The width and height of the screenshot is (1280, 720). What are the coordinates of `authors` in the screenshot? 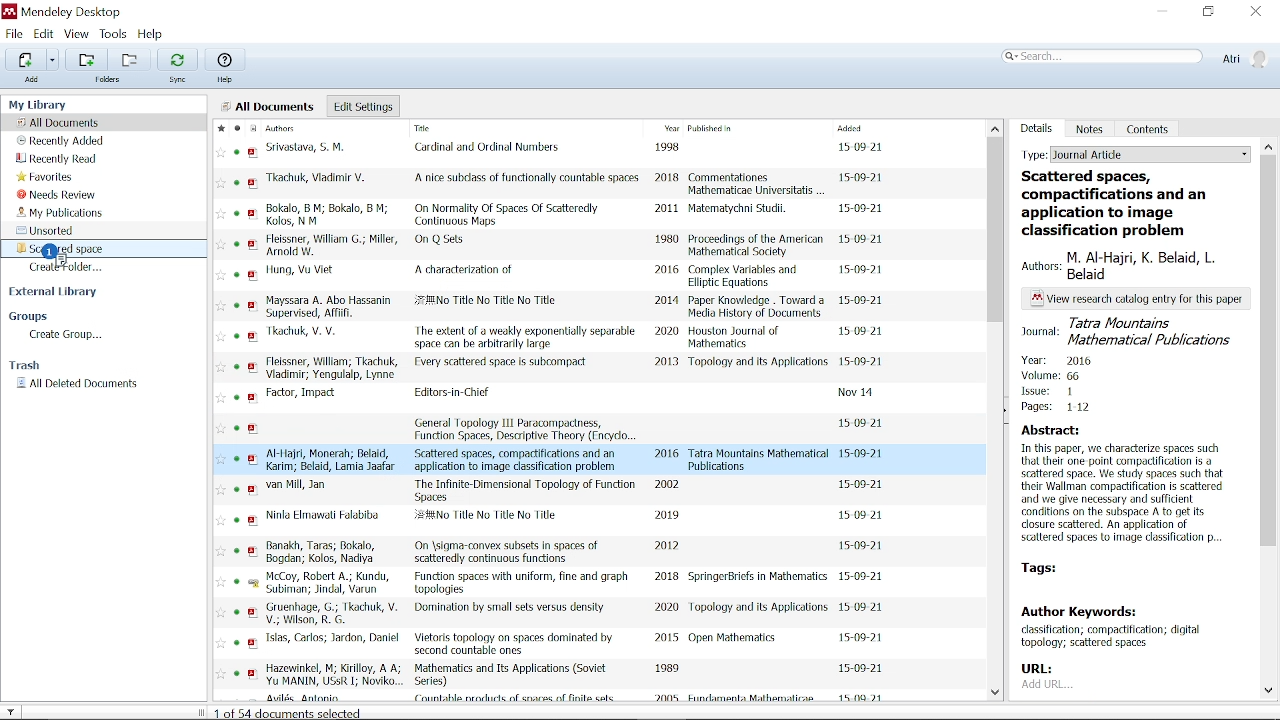 It's located at (300, 270).